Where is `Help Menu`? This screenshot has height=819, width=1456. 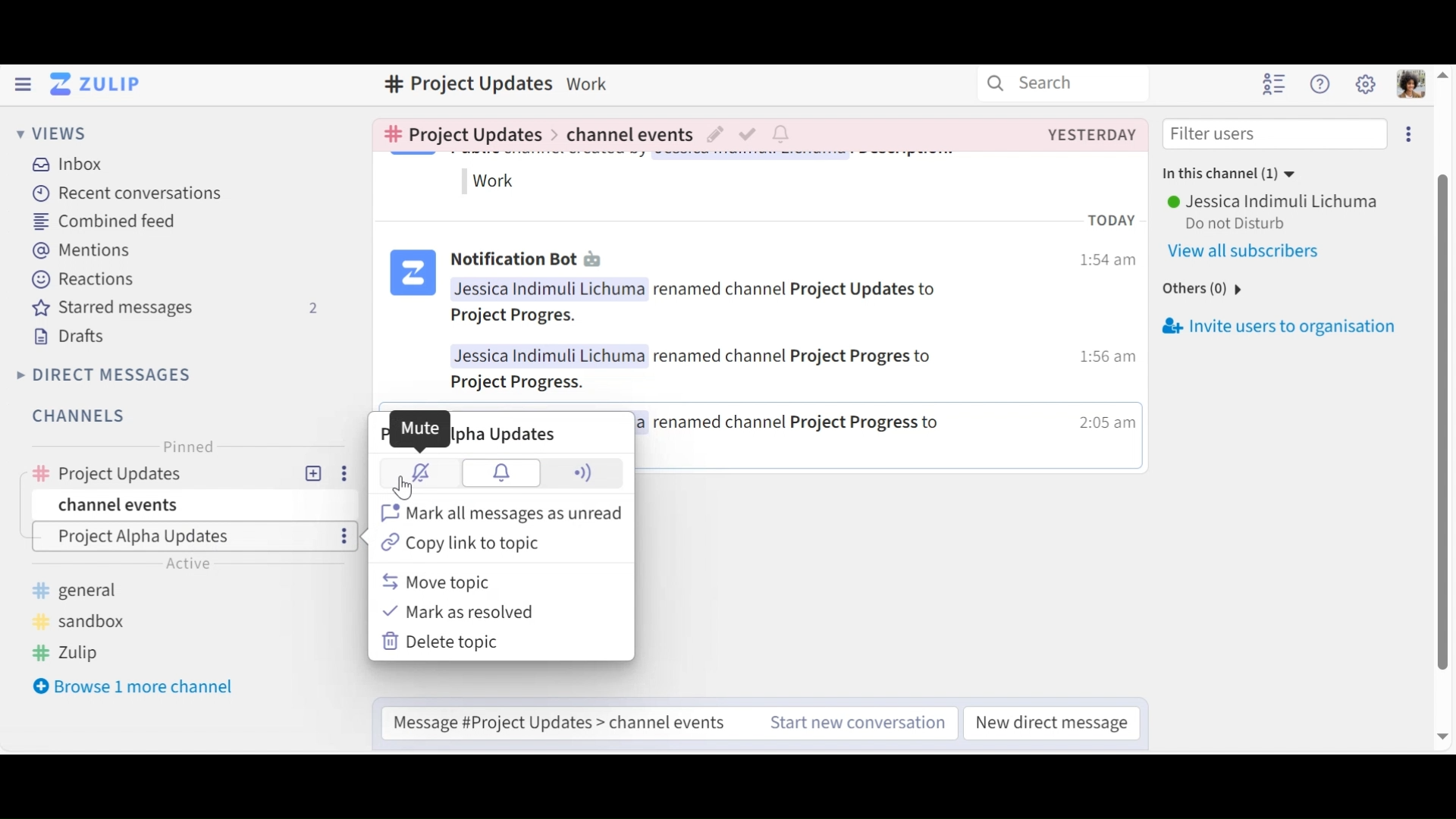 Help Menu is located at coordinates (1322, 84).